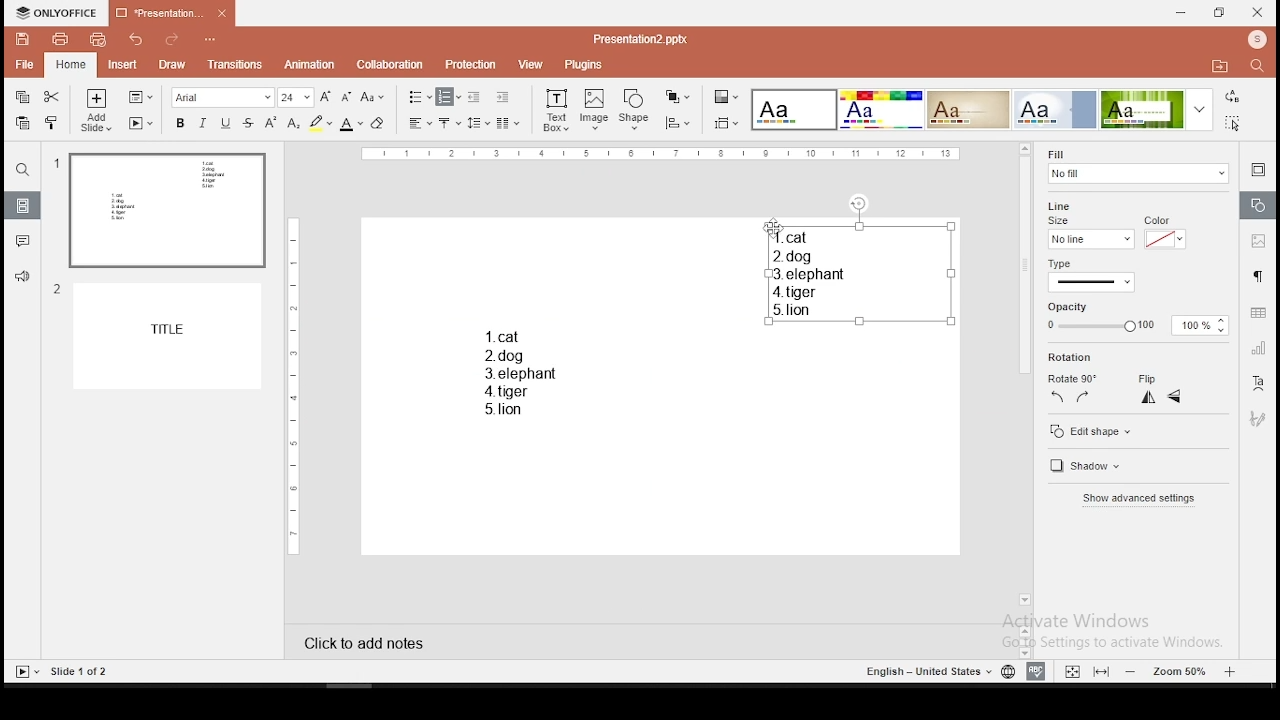  Describe the element at coordinates (508, 122) in the screenshot. I see `columns` at that location.